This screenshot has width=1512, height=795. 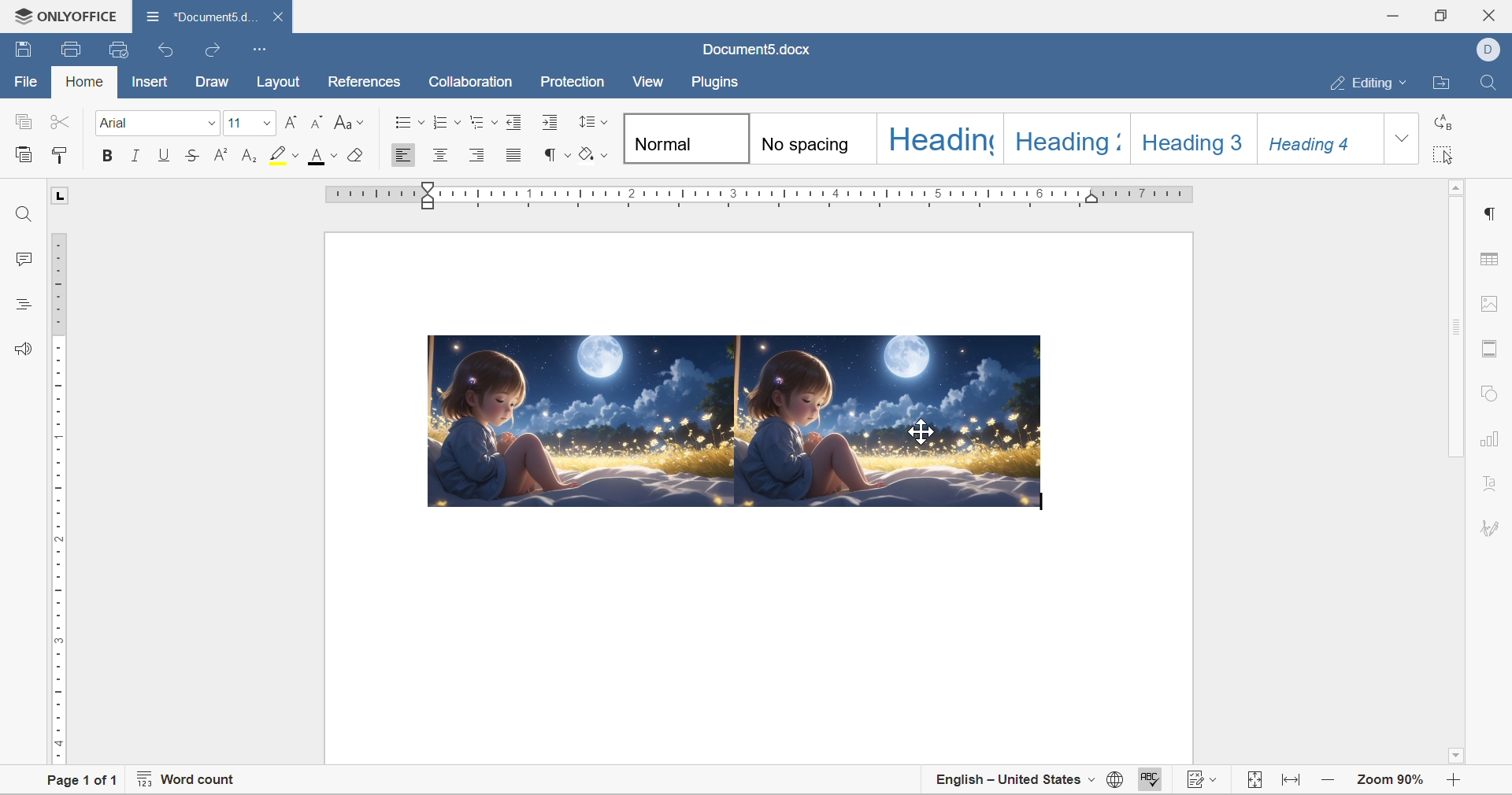 I want to click on spell checking, so click(x=1155, y=778).